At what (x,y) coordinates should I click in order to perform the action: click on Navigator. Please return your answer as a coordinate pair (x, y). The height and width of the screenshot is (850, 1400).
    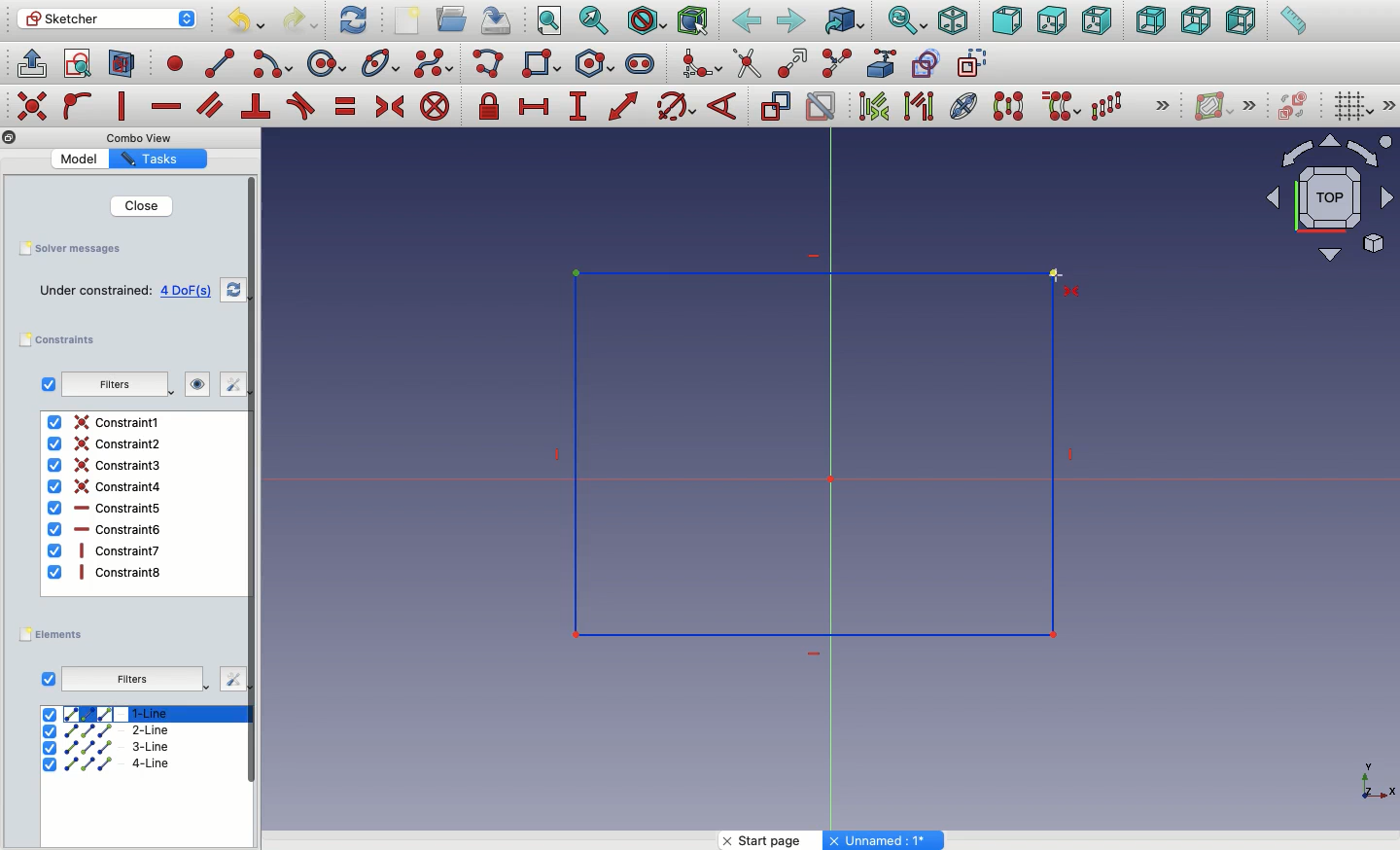
    Looking at the image, I should click on (1330, 198).